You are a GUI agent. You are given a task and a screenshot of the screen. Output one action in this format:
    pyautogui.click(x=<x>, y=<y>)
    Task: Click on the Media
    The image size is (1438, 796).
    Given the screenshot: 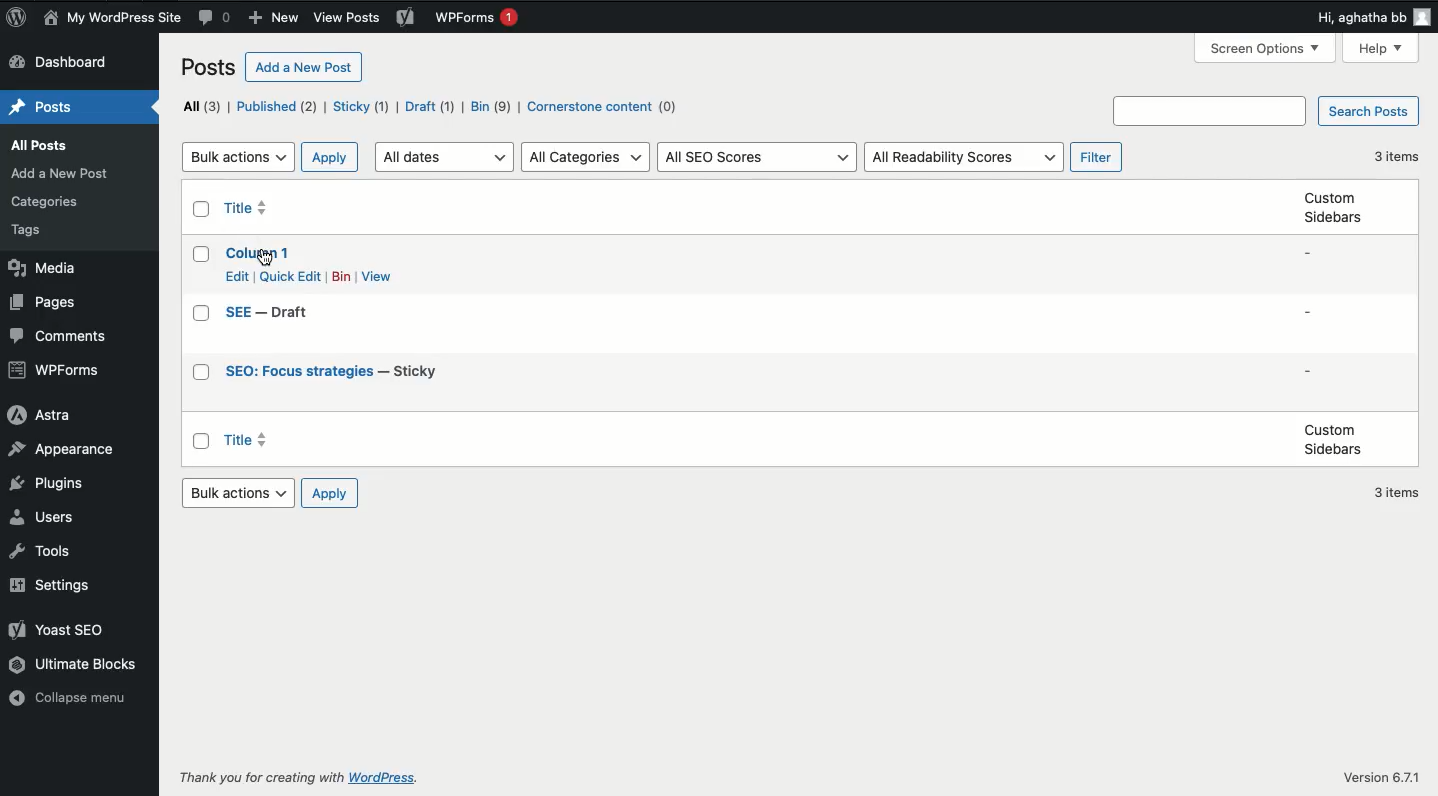 What is the action you would take?
    pyautogui.click(x=41, y=267)
    